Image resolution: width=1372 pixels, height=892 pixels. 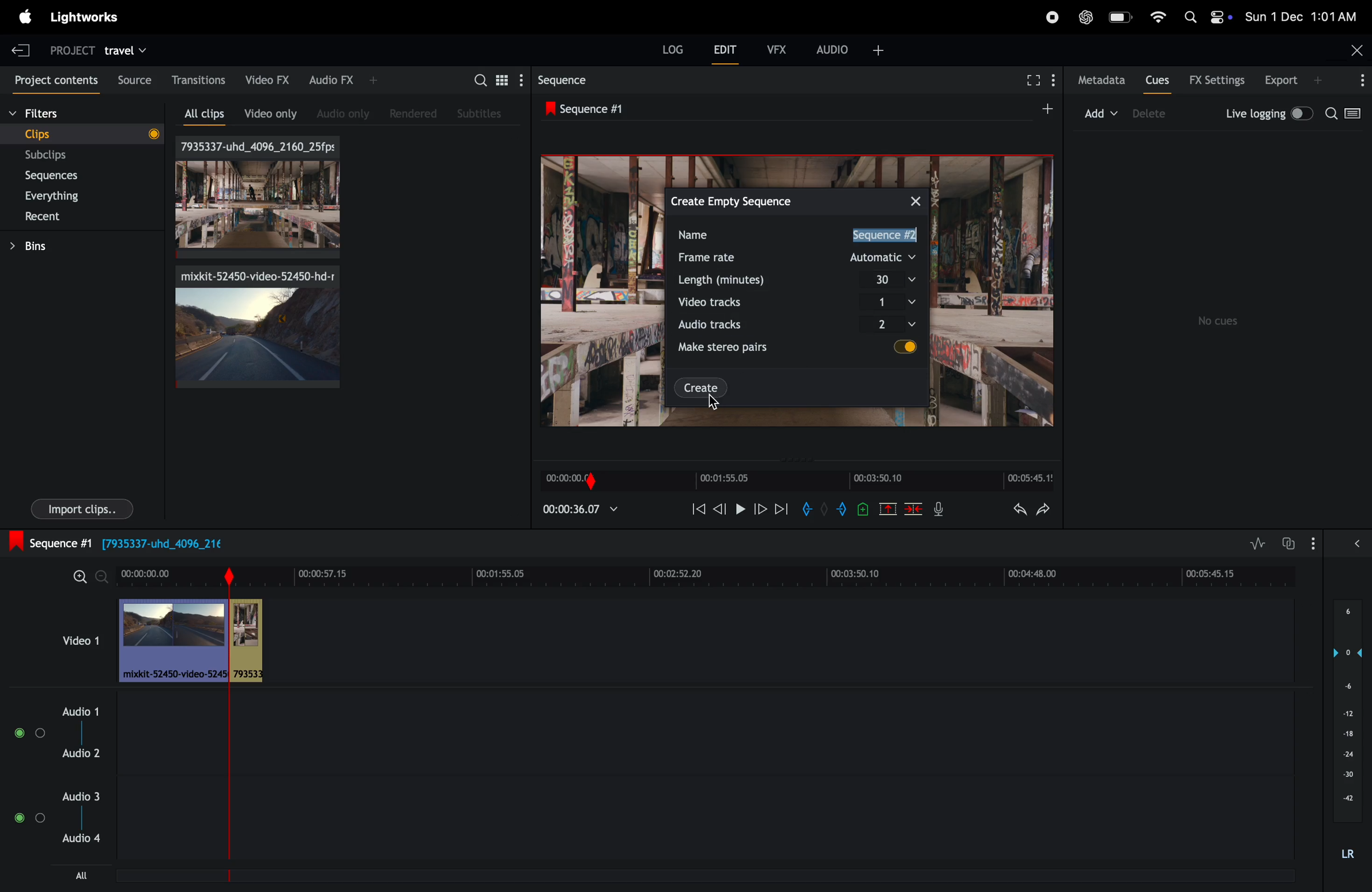 What do you see at coordinates (73, 51) in the screenshot?
I see `project` at bounding box center [73, 51].